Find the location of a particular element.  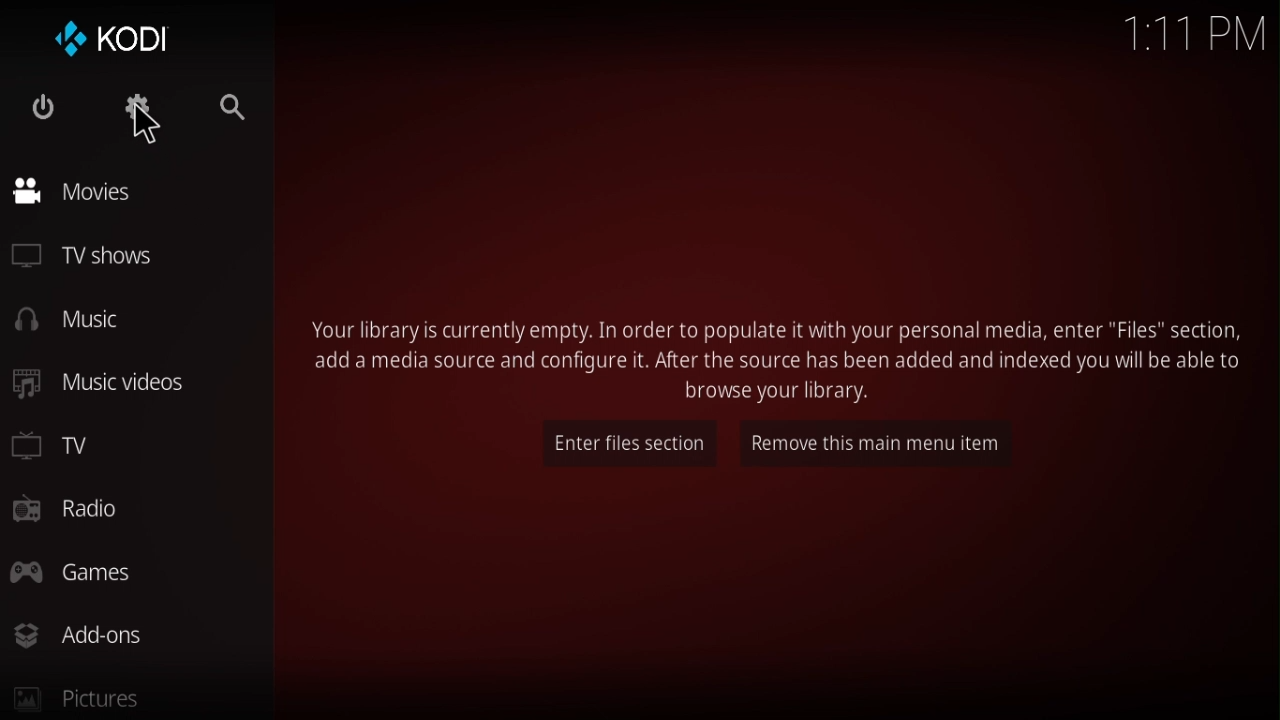

time is located at coordinates (1194, 32).